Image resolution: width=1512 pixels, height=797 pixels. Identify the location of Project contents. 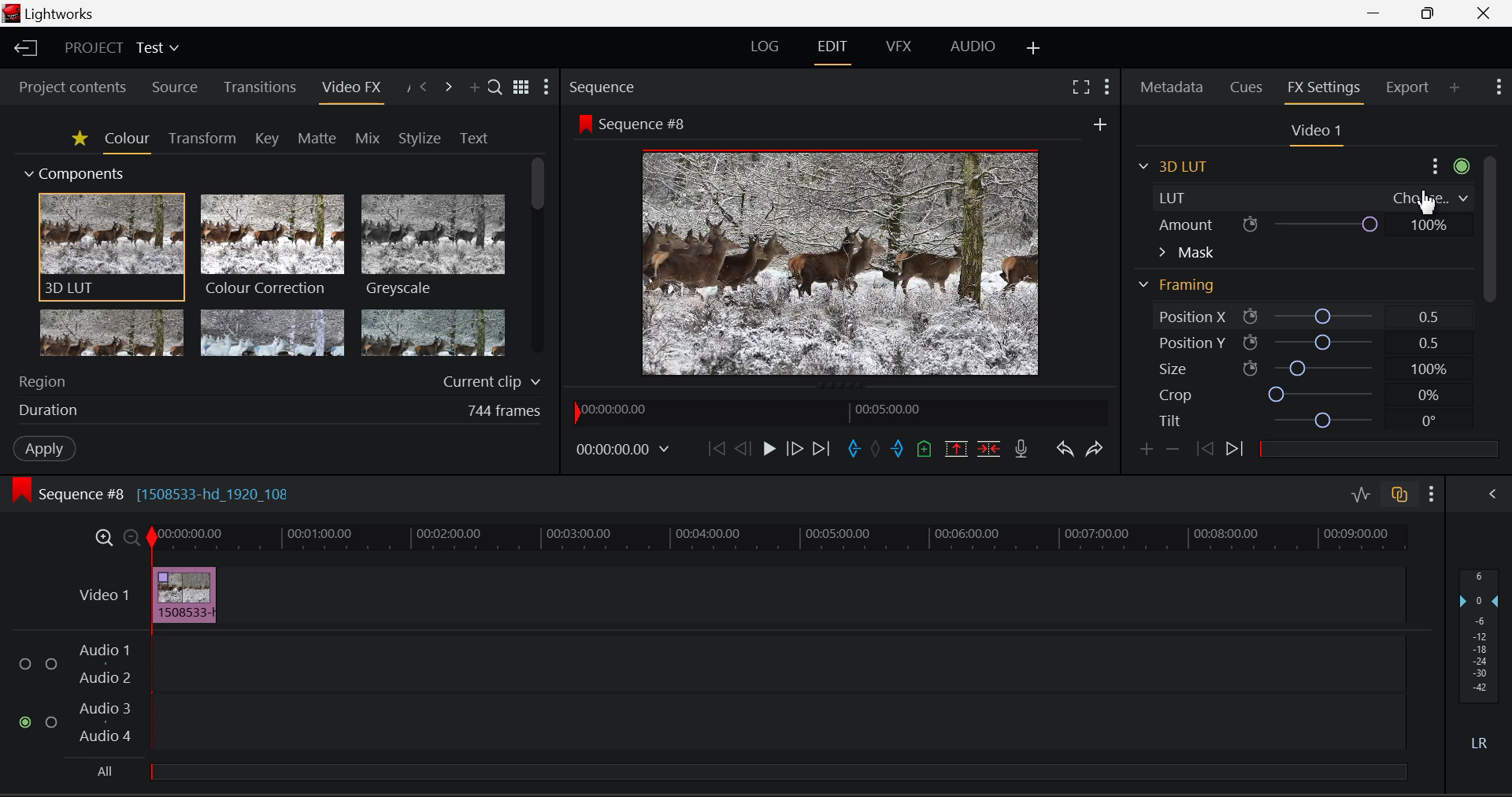
(72, 89).